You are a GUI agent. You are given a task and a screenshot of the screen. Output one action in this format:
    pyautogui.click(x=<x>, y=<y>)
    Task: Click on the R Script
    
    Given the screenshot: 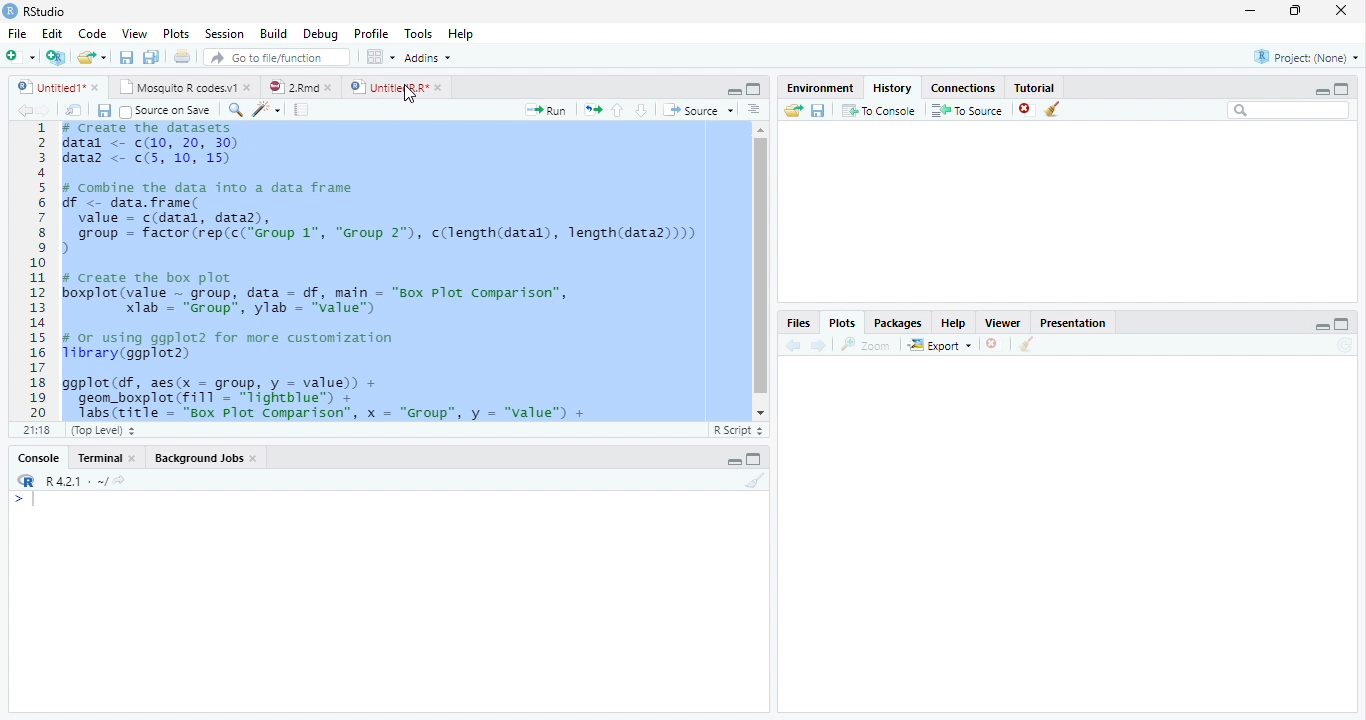 What is the action you would take?
    pyautogui.click(x=738, y=431)
    